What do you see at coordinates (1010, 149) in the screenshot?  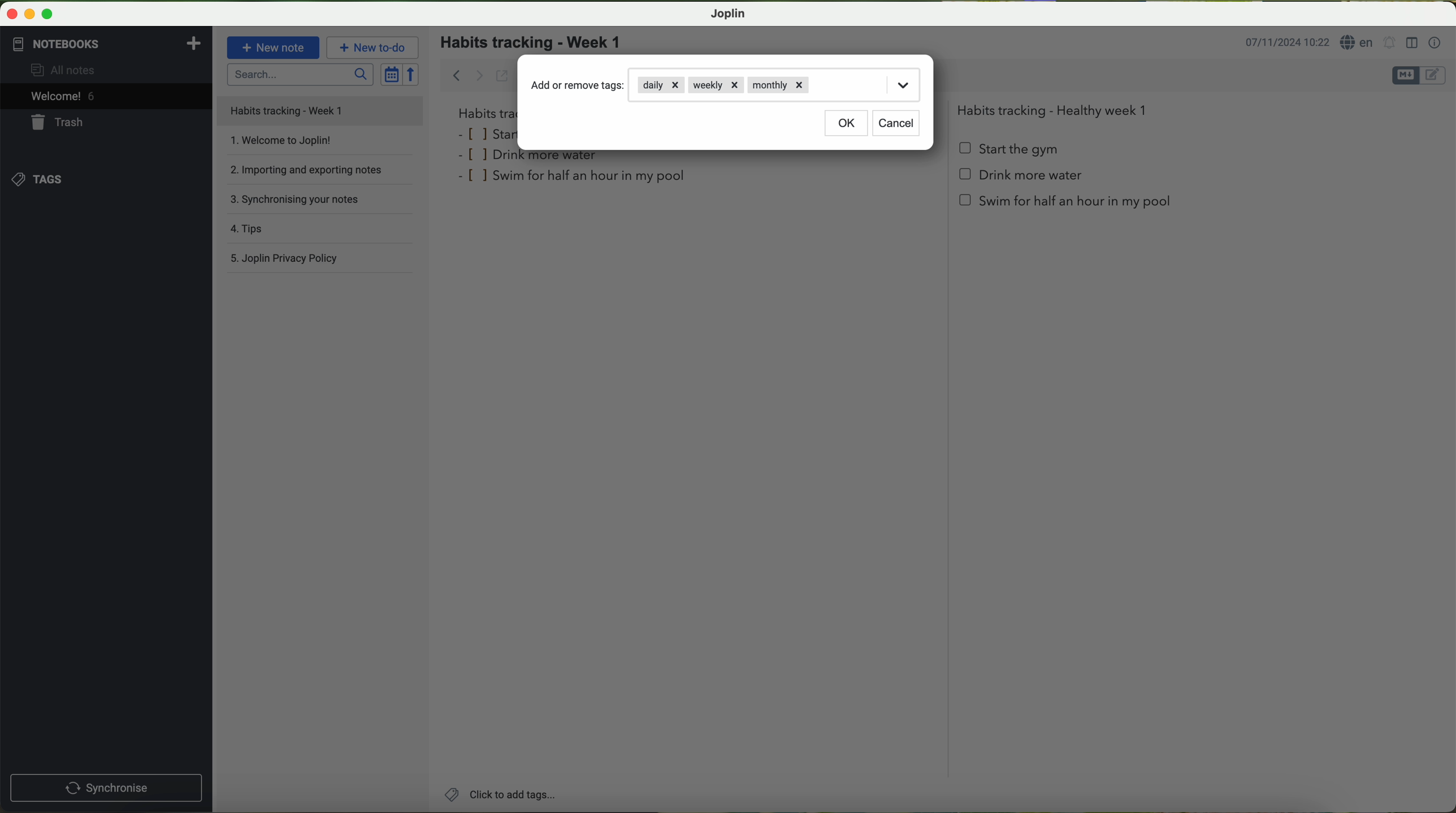 I see `start the gym` at bounding box center [1010, 149].